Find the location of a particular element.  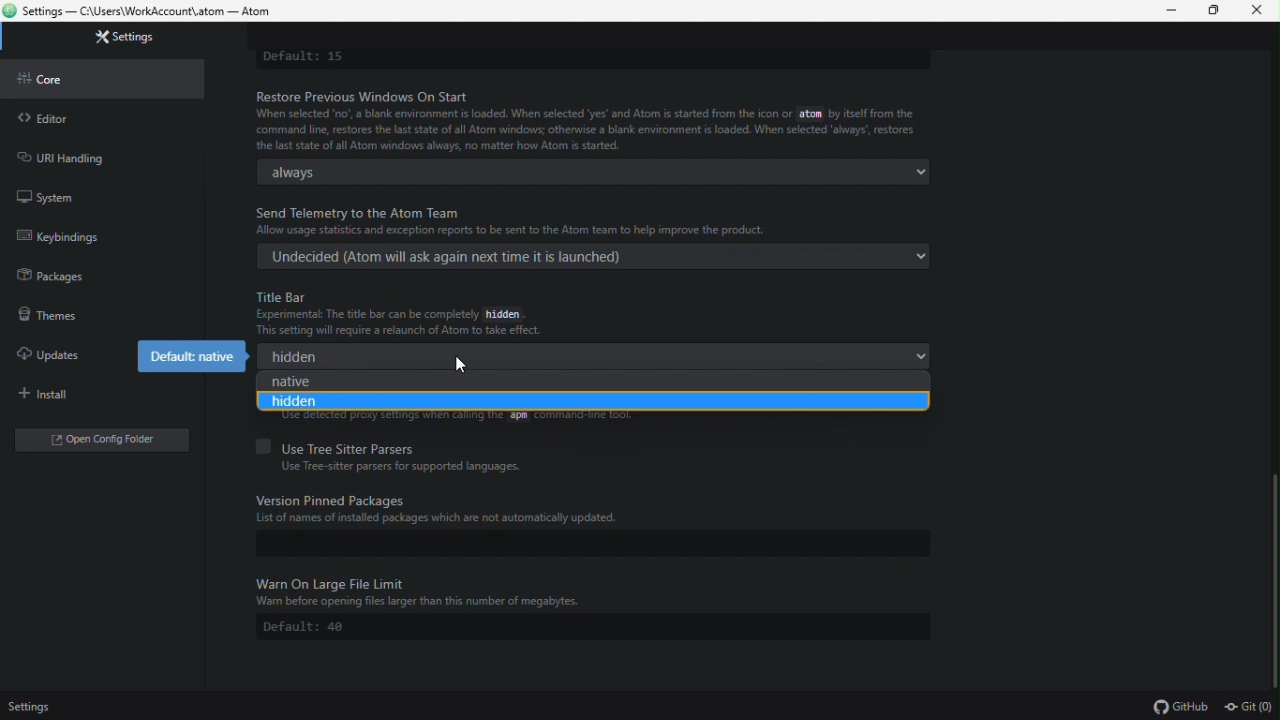

github is located at coordinates (1180, 707).